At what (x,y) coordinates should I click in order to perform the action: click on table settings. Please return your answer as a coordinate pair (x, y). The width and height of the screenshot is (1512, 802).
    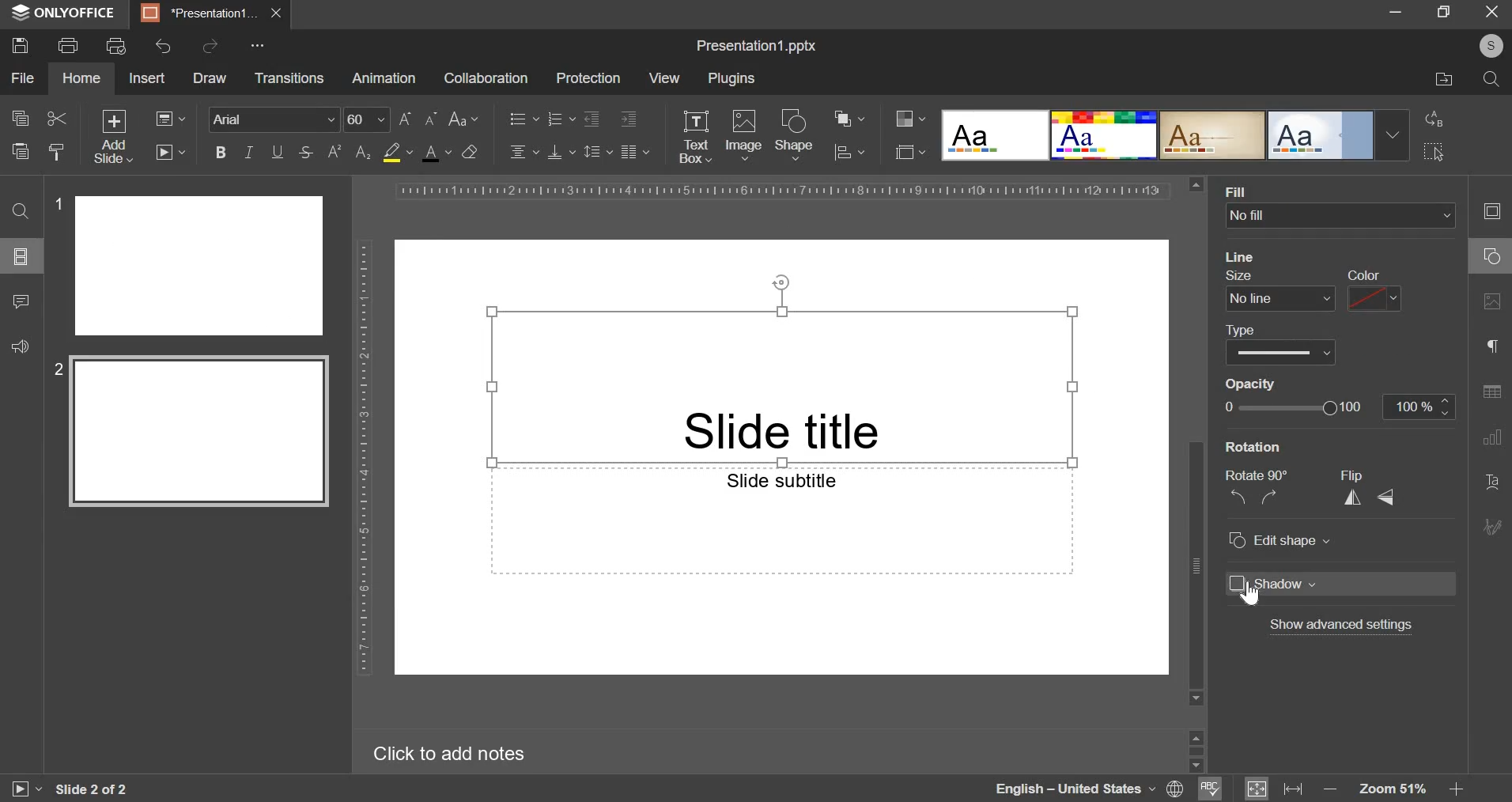
    Looking at the image, I should click on (1491, 392).